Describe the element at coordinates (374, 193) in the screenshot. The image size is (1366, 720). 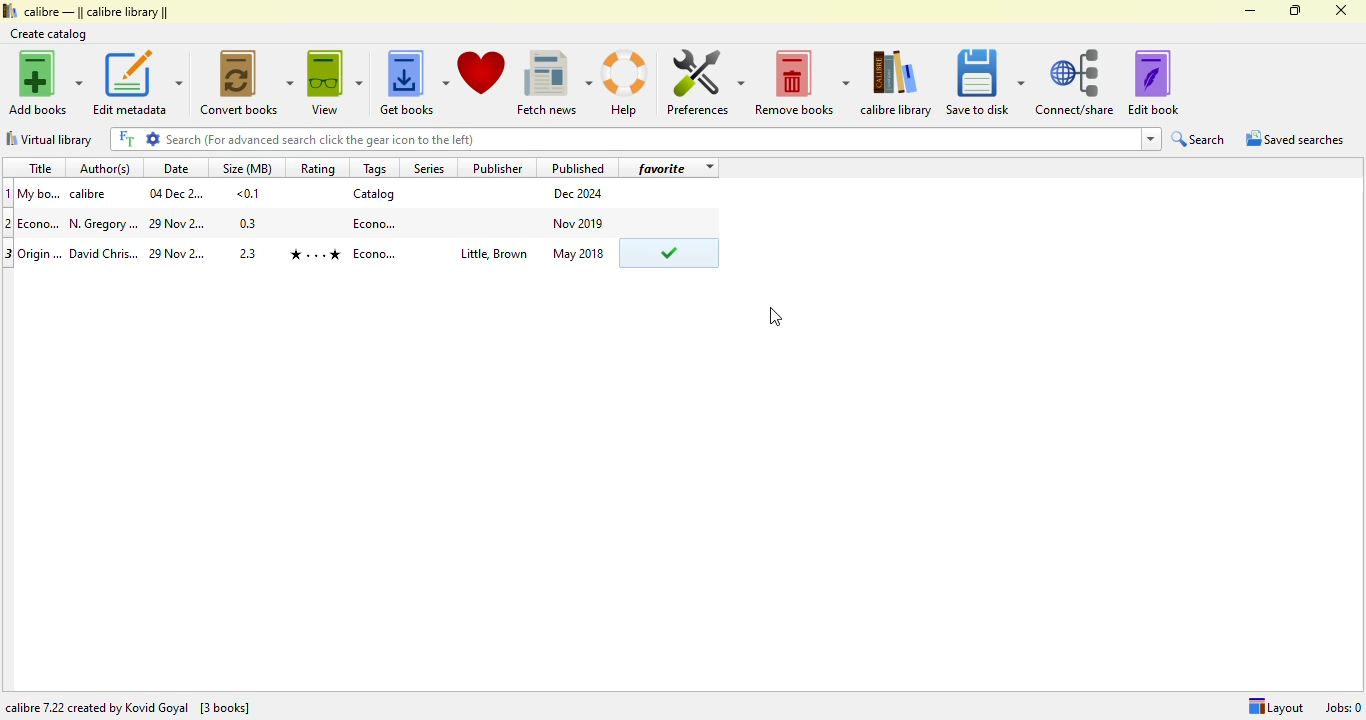
I see `catalog` at that location.